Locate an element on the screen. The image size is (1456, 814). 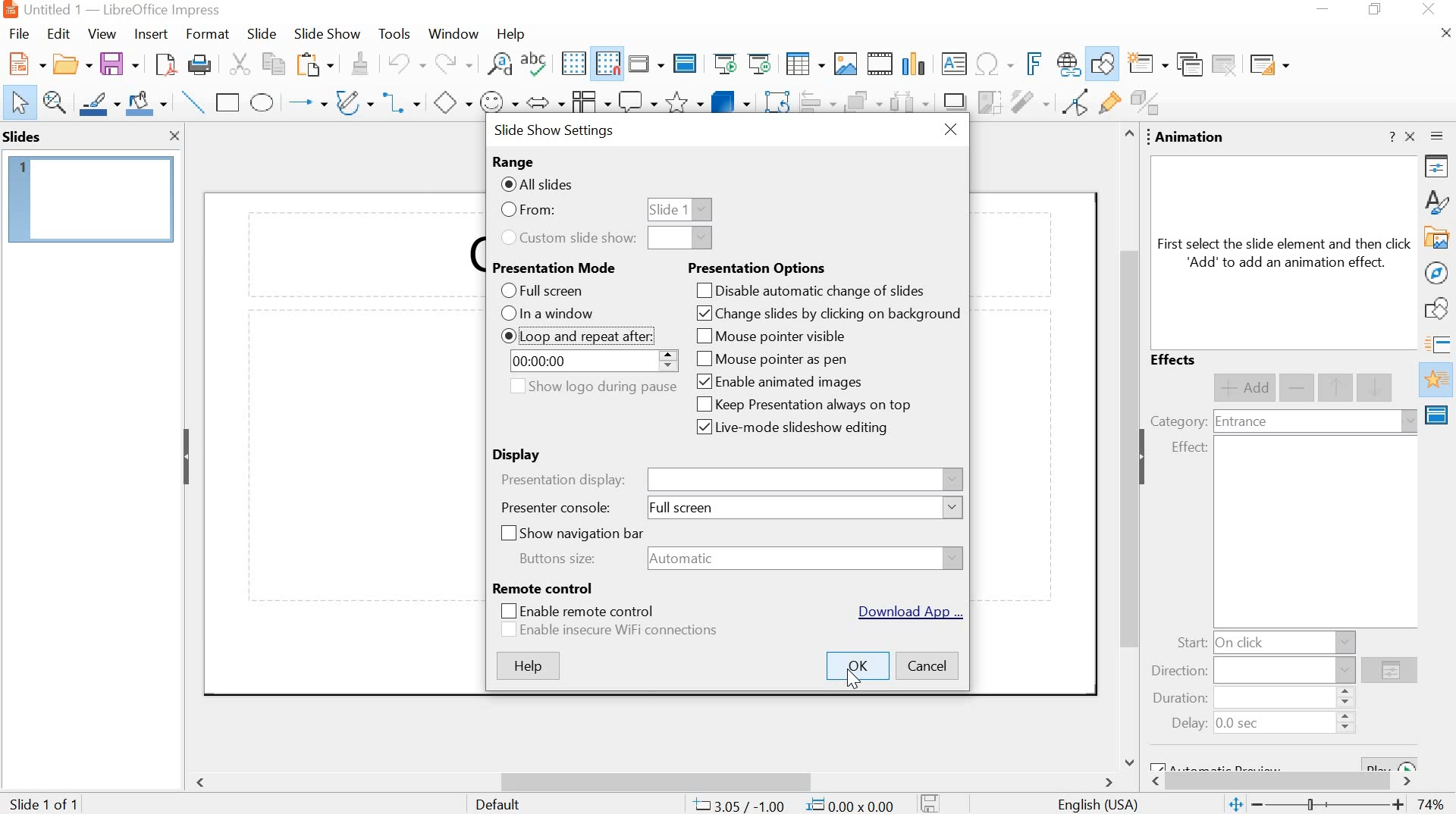
collapse is located at coordinates (1147, 457).